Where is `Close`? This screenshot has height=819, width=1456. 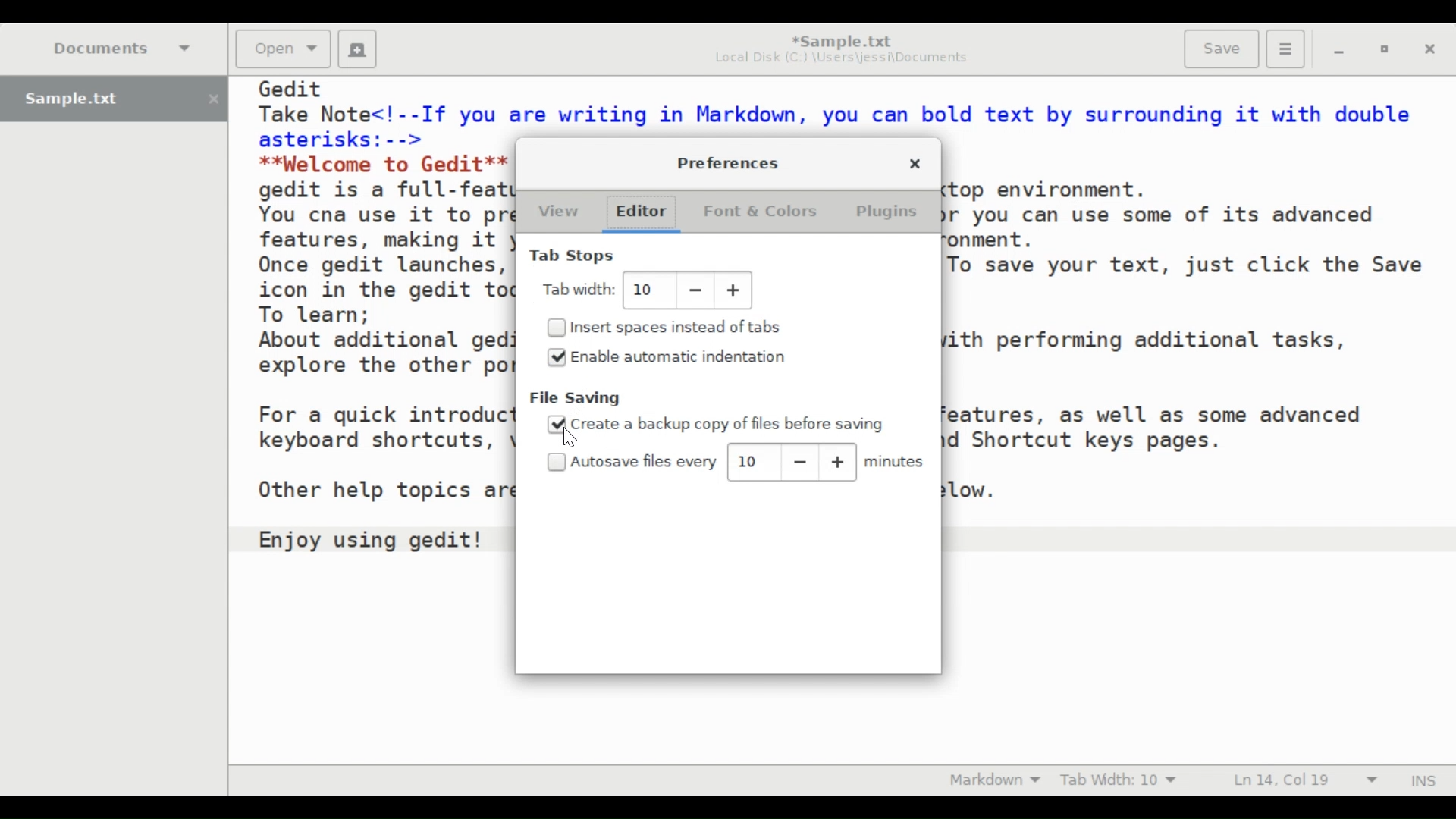 Close is located at coordinates (1430, 50).